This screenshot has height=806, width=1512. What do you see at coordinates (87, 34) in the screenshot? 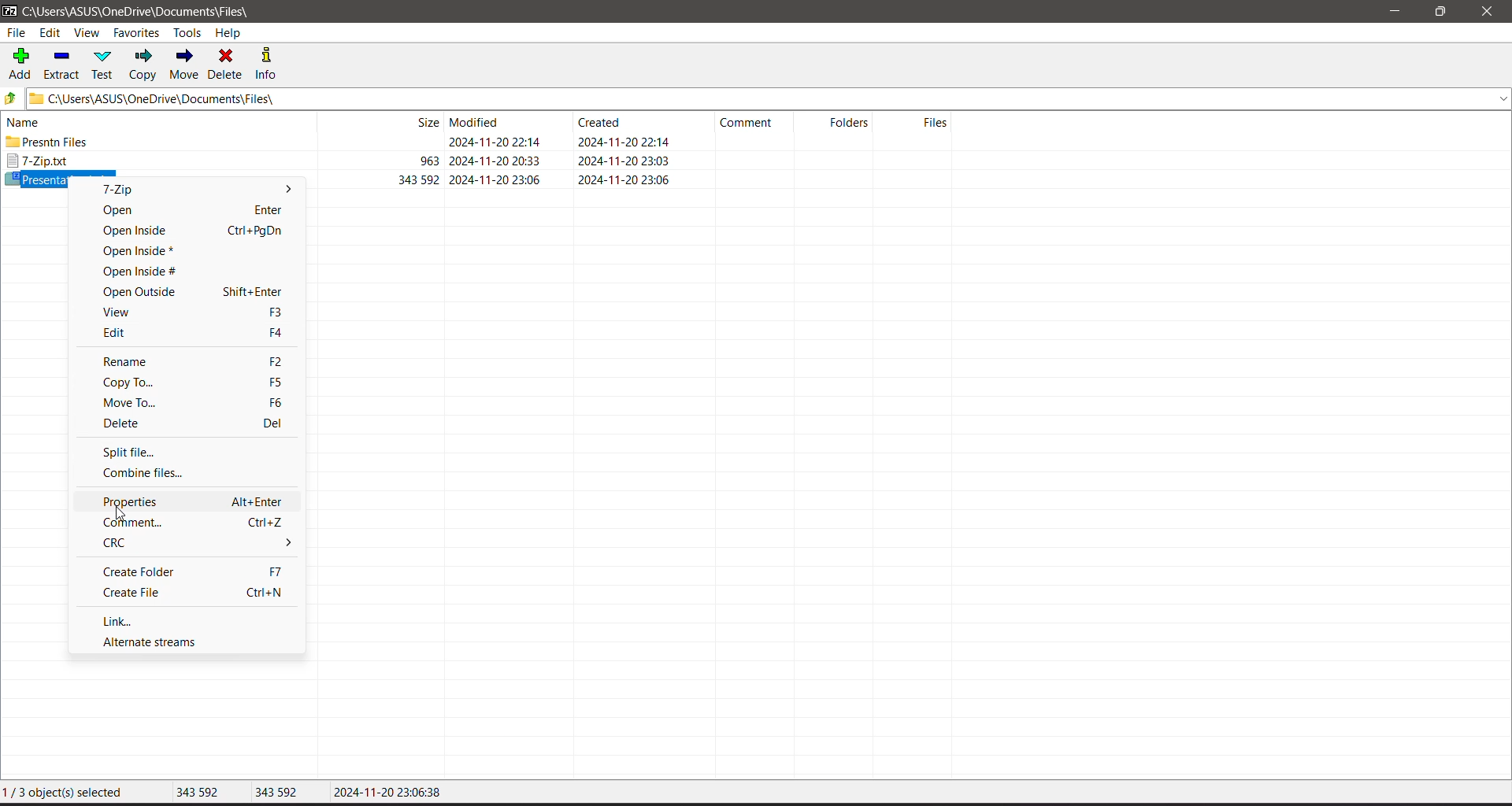
I see `View` at bounding box center [87, 34].